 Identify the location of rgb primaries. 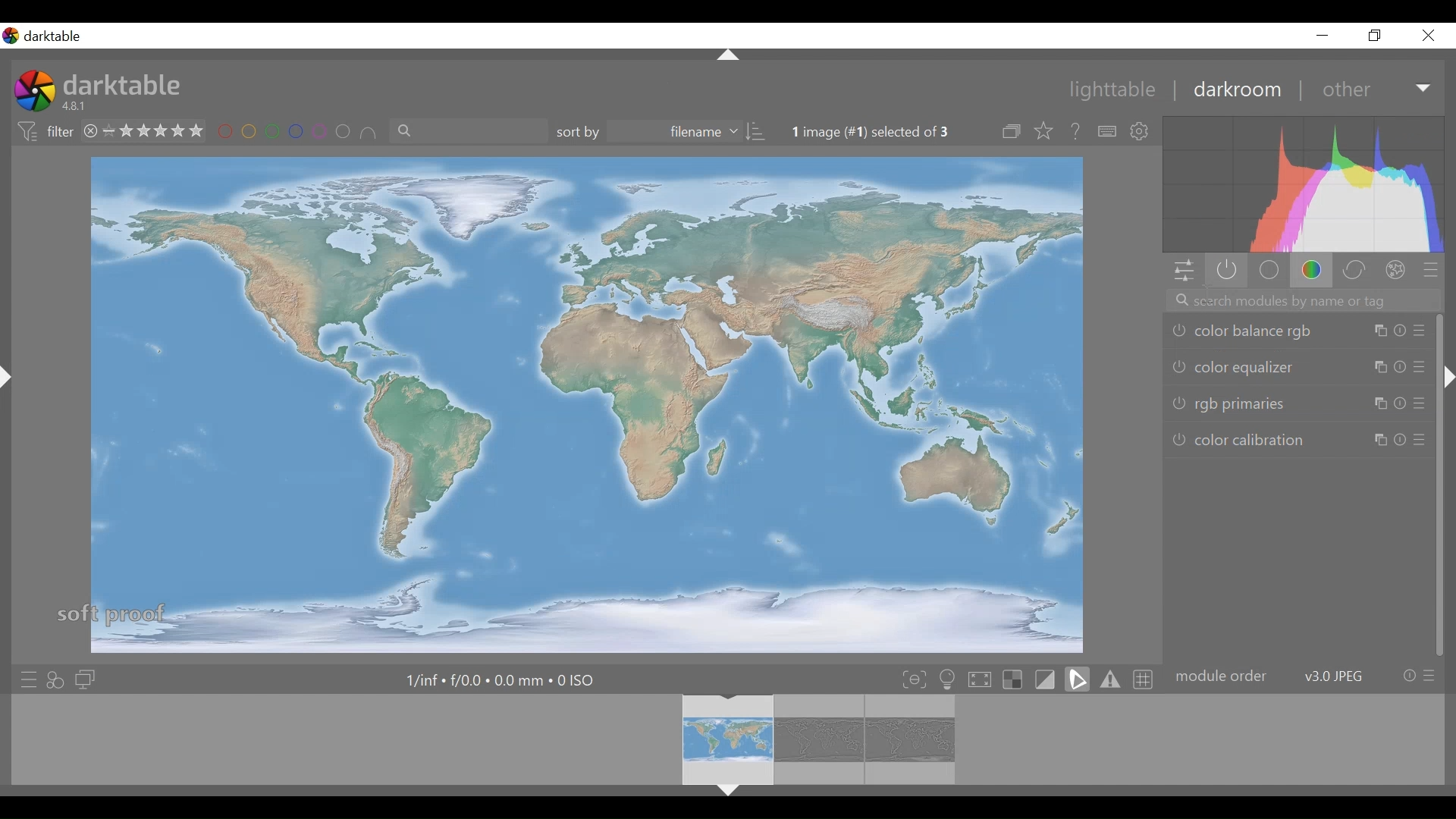
(1302, 403).